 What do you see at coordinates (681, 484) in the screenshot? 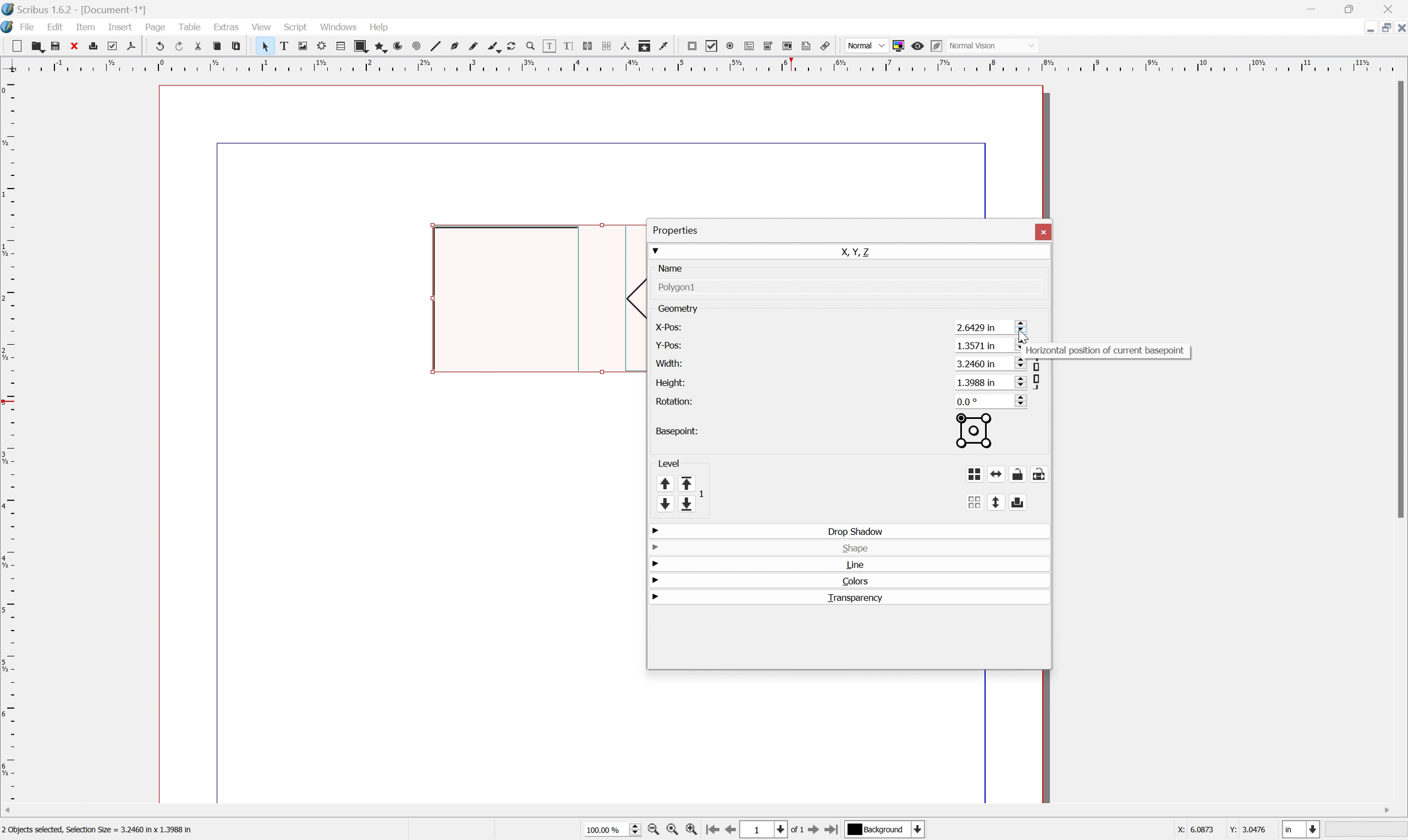
I see `Level` at bounding box center [681, 484].